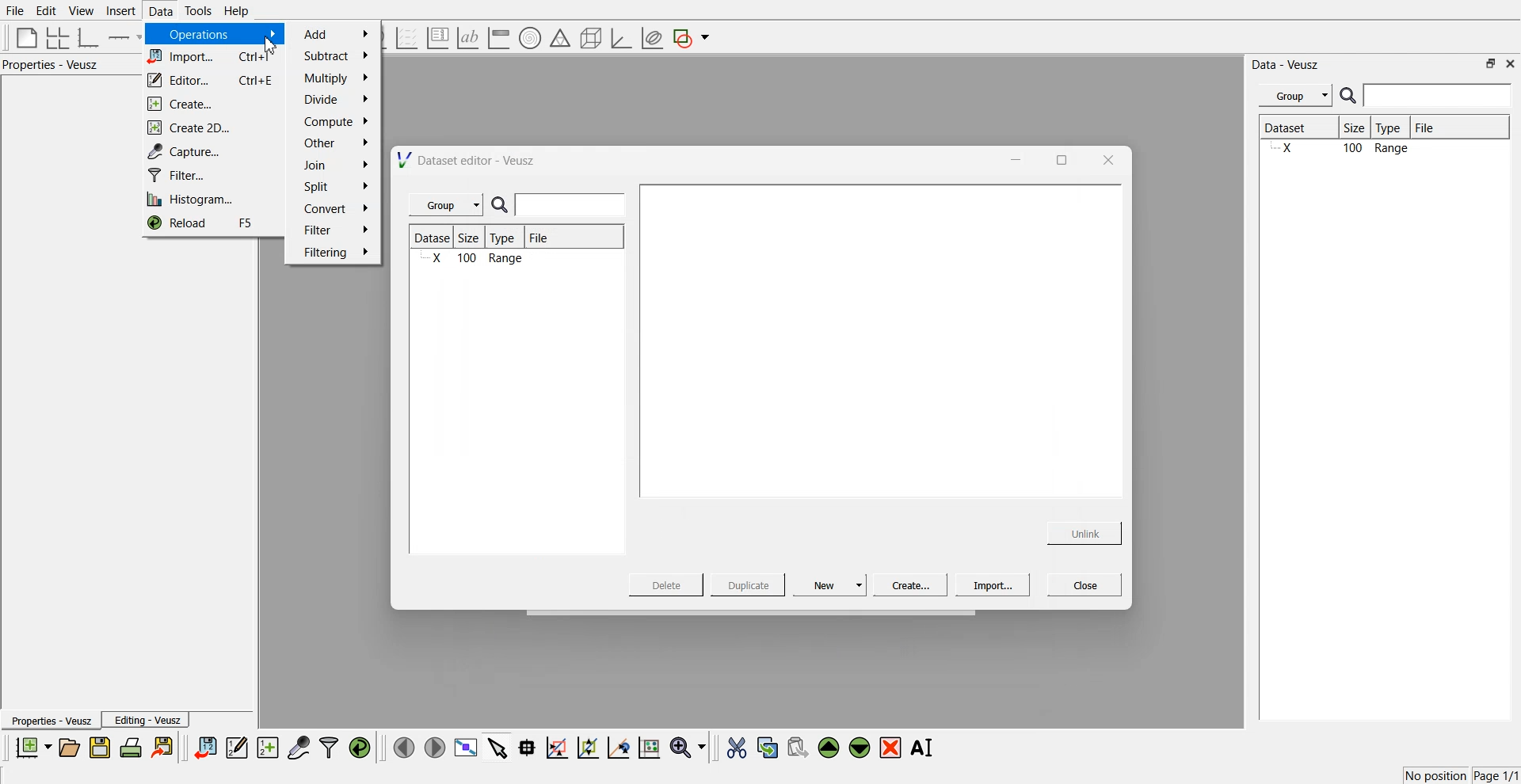 Image resolution: width=1521 pixels, height=784 pixels. What do you see at coordinates (135, 747) in the screenshot?
I see `print` at bounding box center [135, 747].